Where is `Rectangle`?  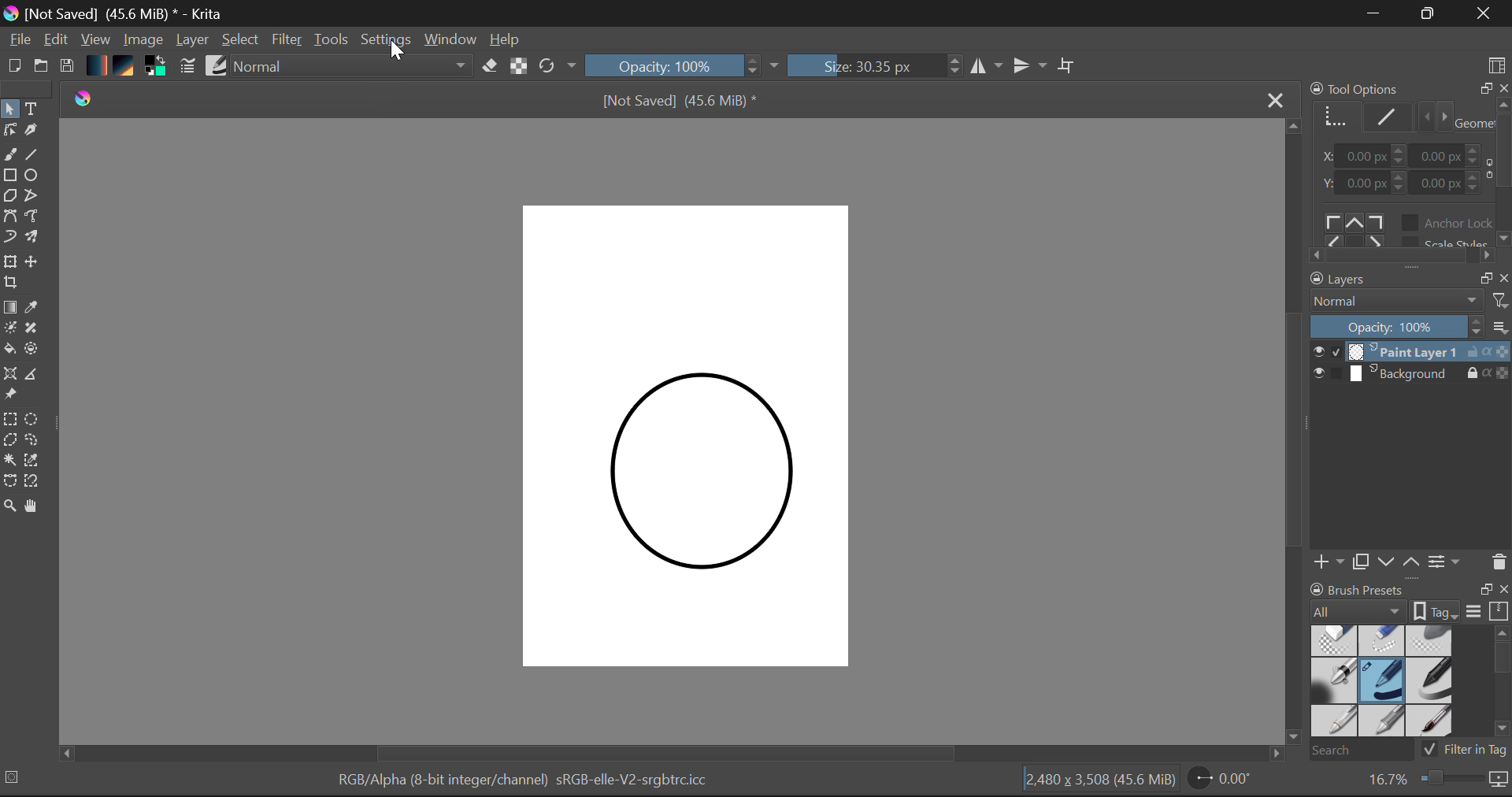
Rectangle is located at coordinates (9, 176).